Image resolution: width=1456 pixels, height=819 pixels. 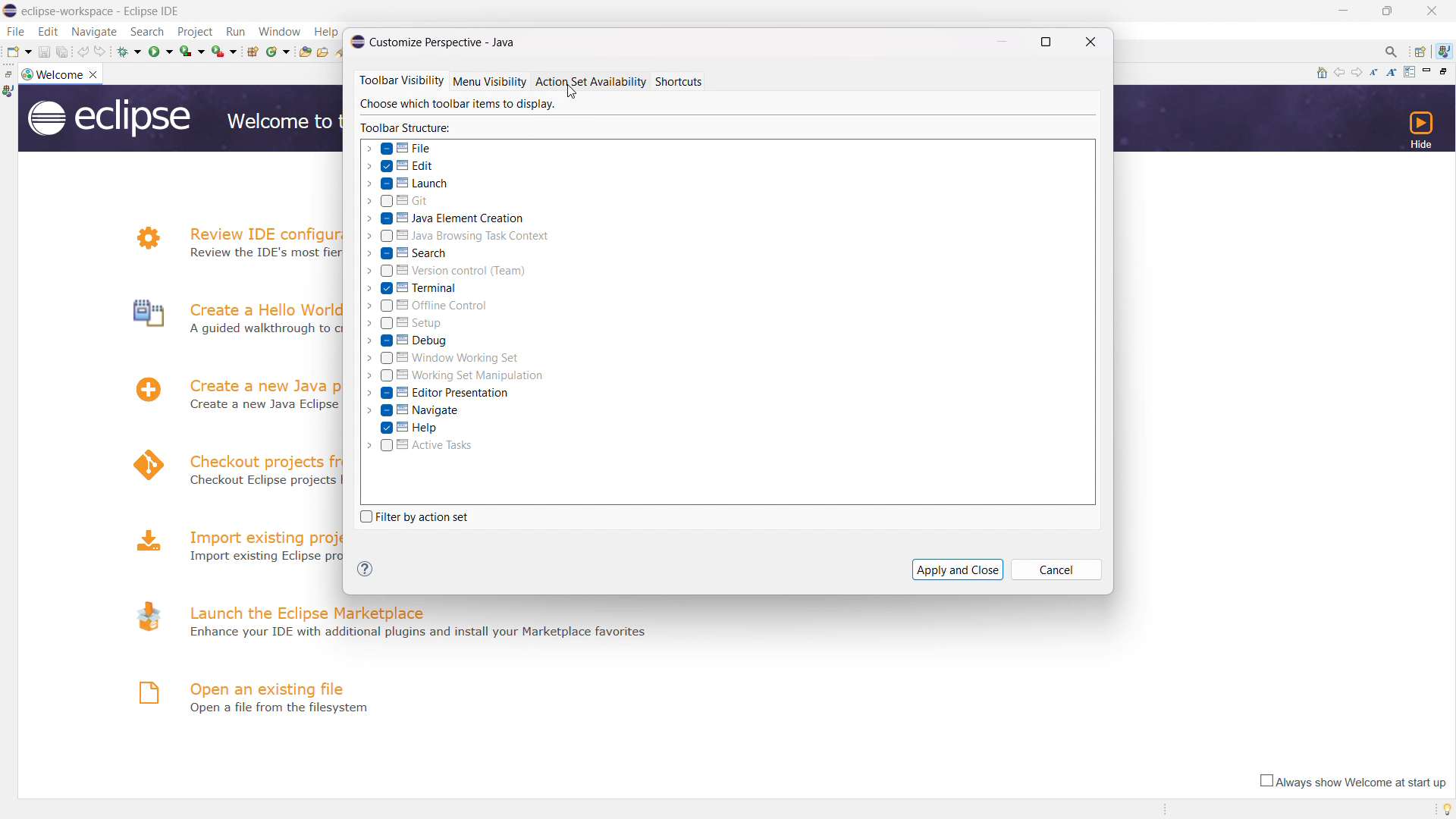 What do you see at coordinates (128, 52) in the screenshot?
I see `debug` at bounding box center [128, 52].